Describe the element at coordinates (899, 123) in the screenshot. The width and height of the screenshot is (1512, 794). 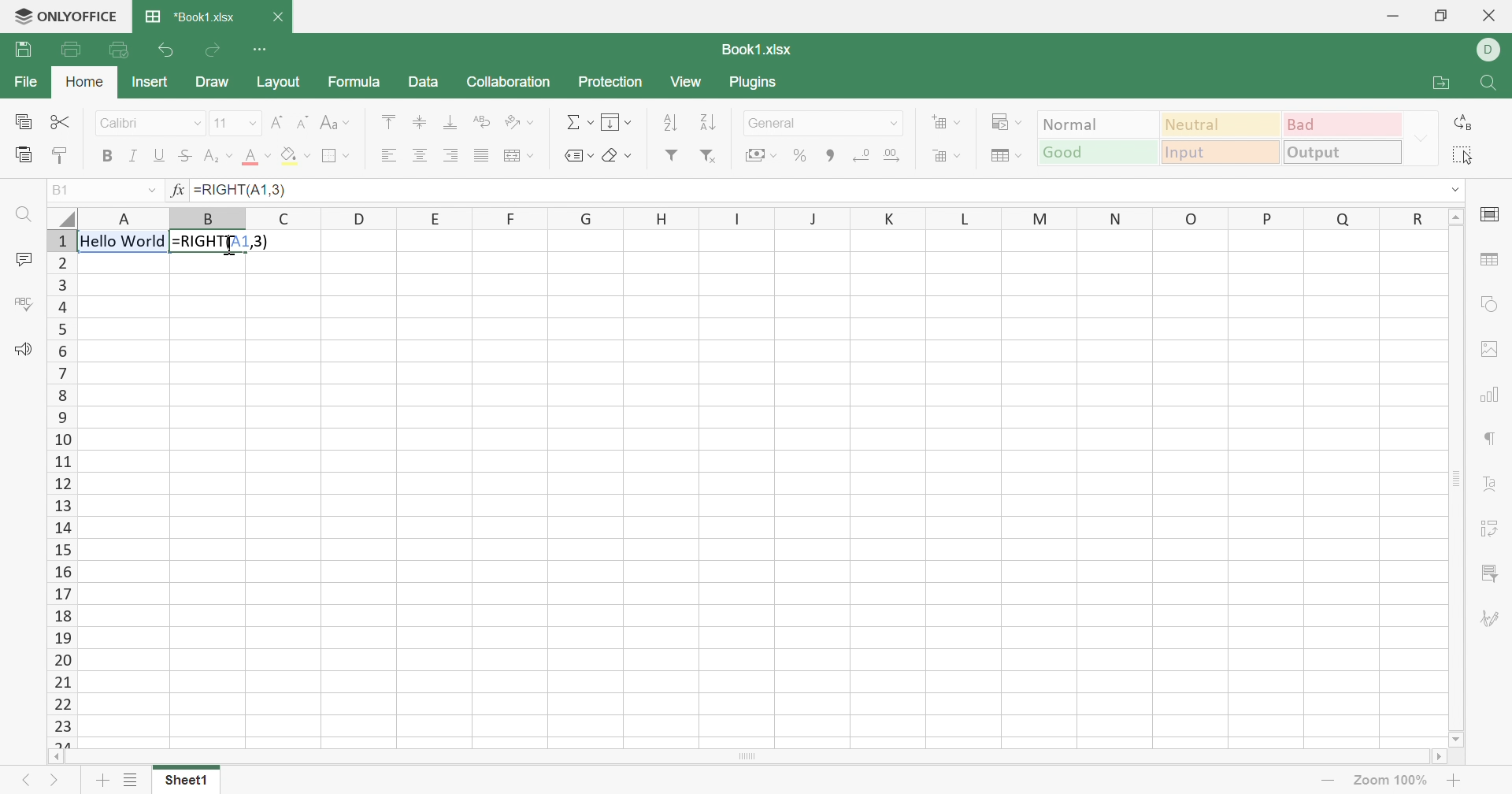
I see `Drop down` at that location.